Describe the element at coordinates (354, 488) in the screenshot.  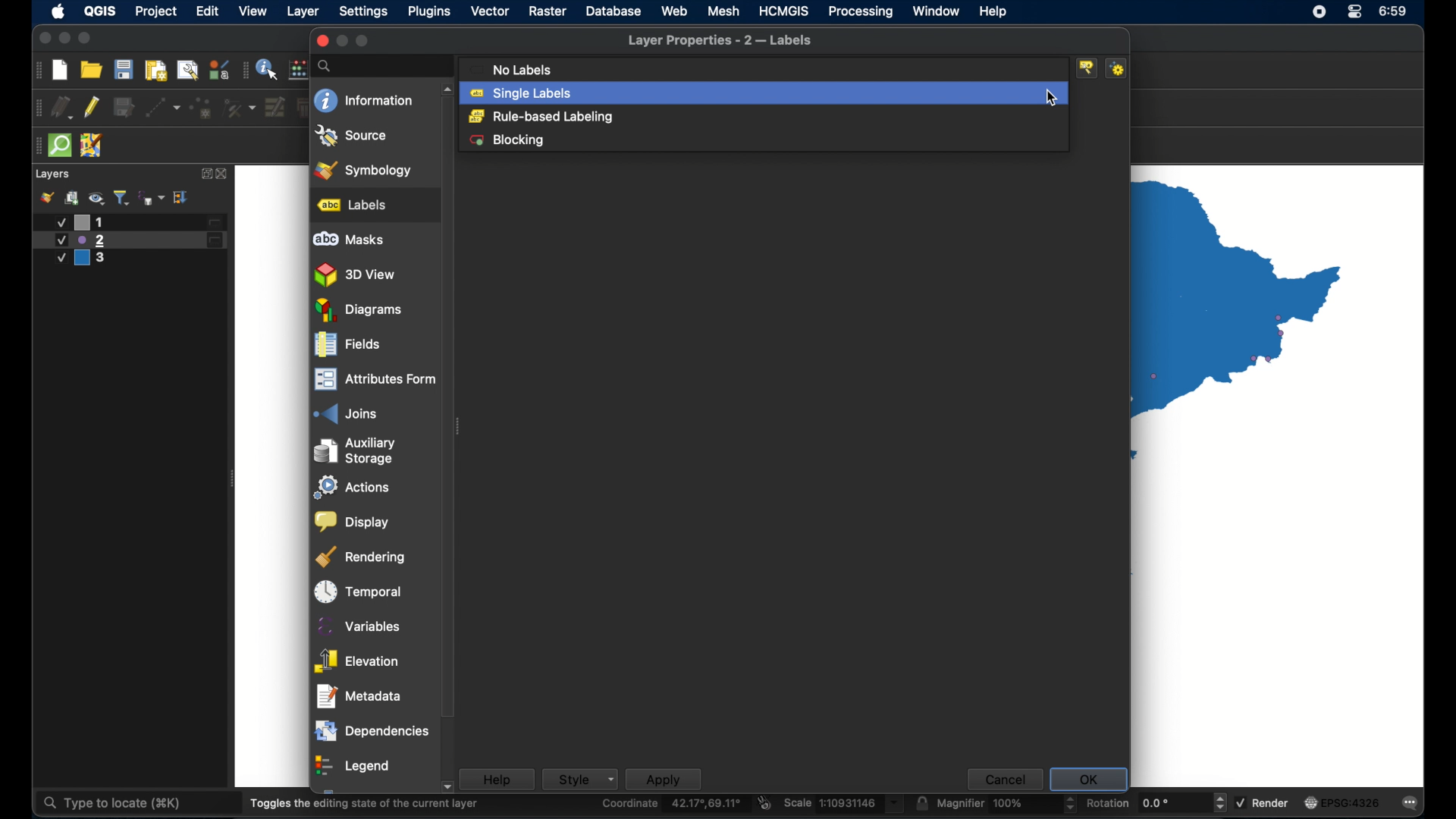
I see `actions` at that location.